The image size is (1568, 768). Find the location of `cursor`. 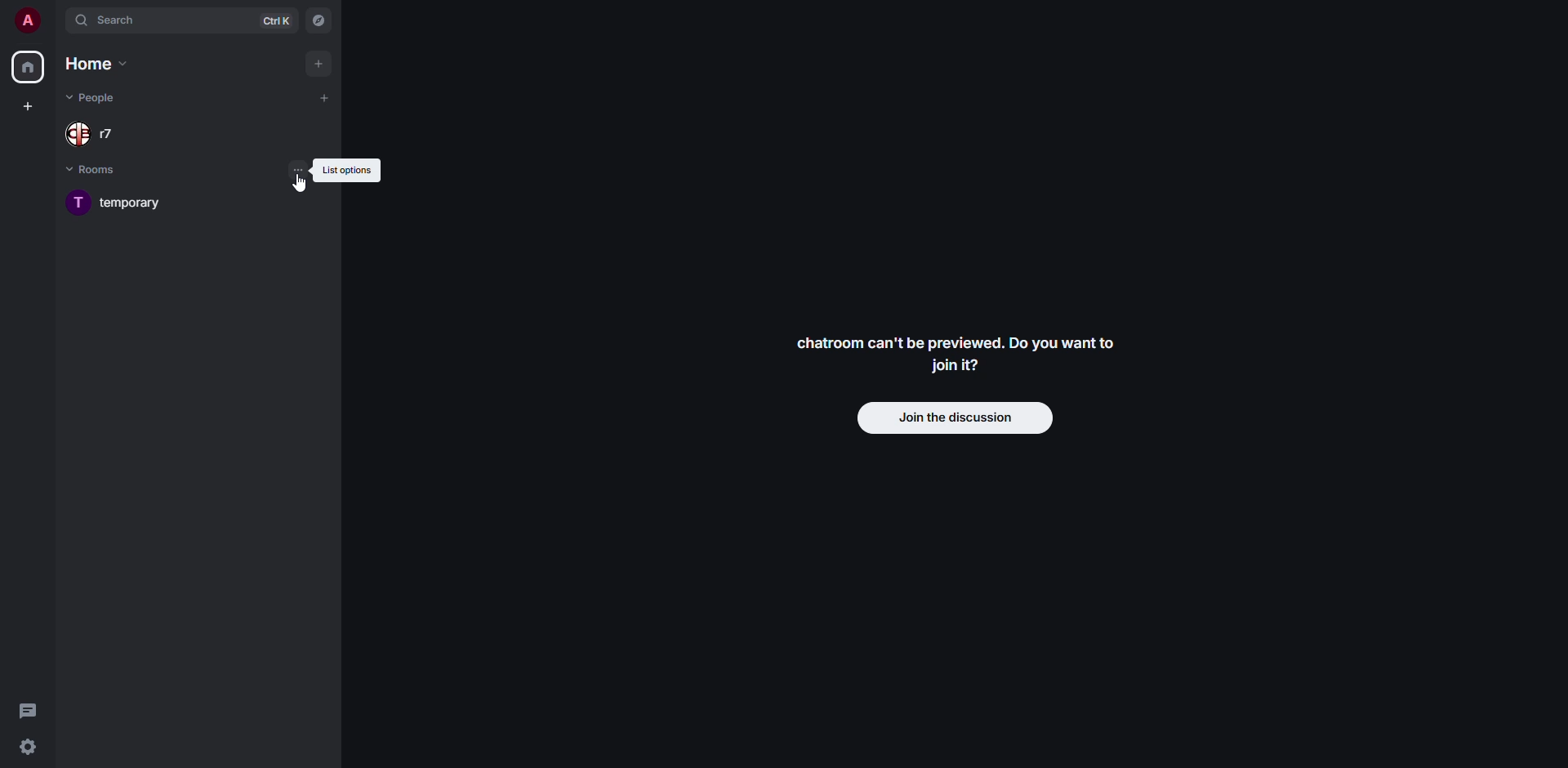

cursor is located at coordinates (301, 189).